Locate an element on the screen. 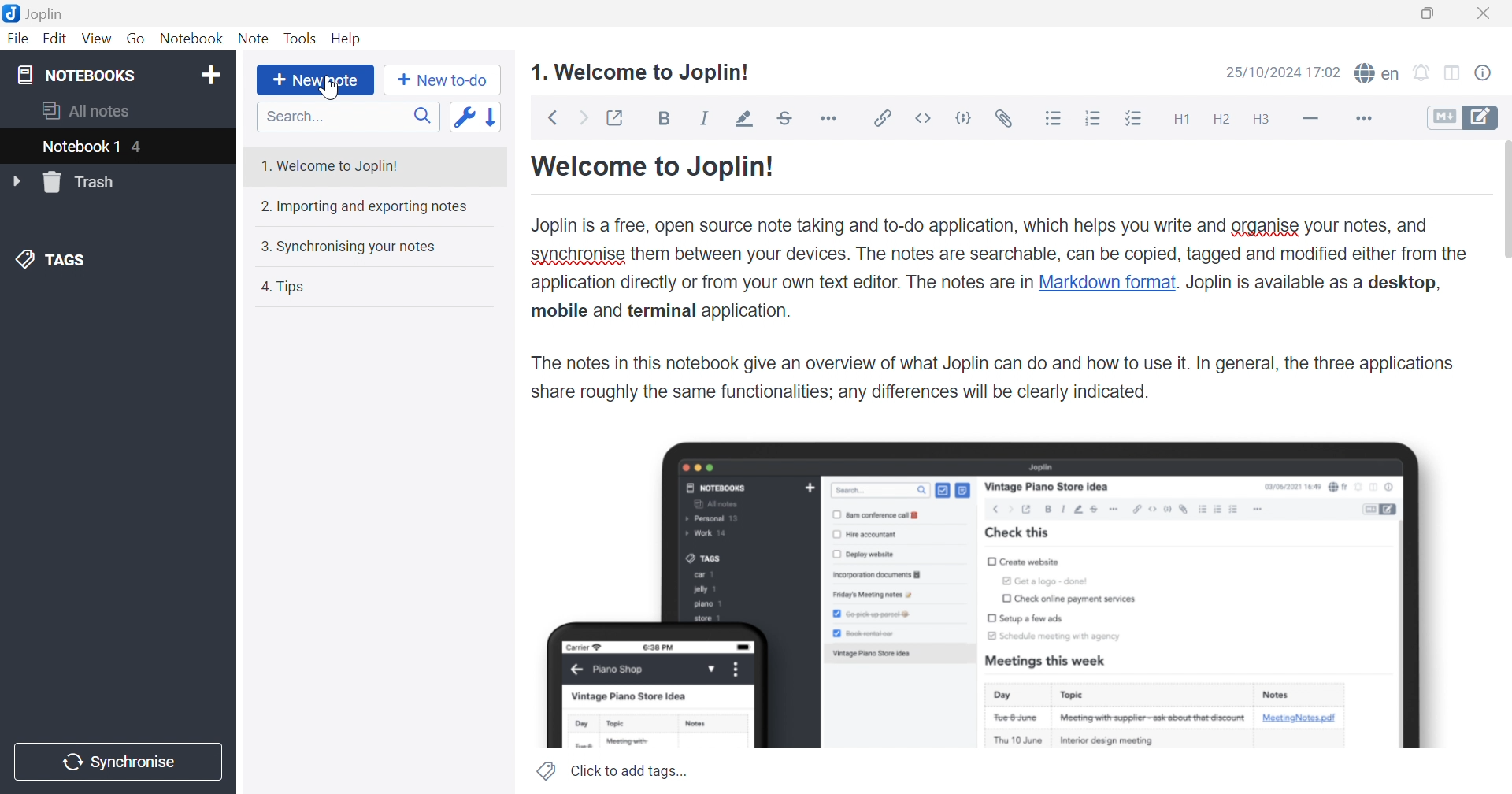  Insert/edit link is located at coordinates (884, 118).